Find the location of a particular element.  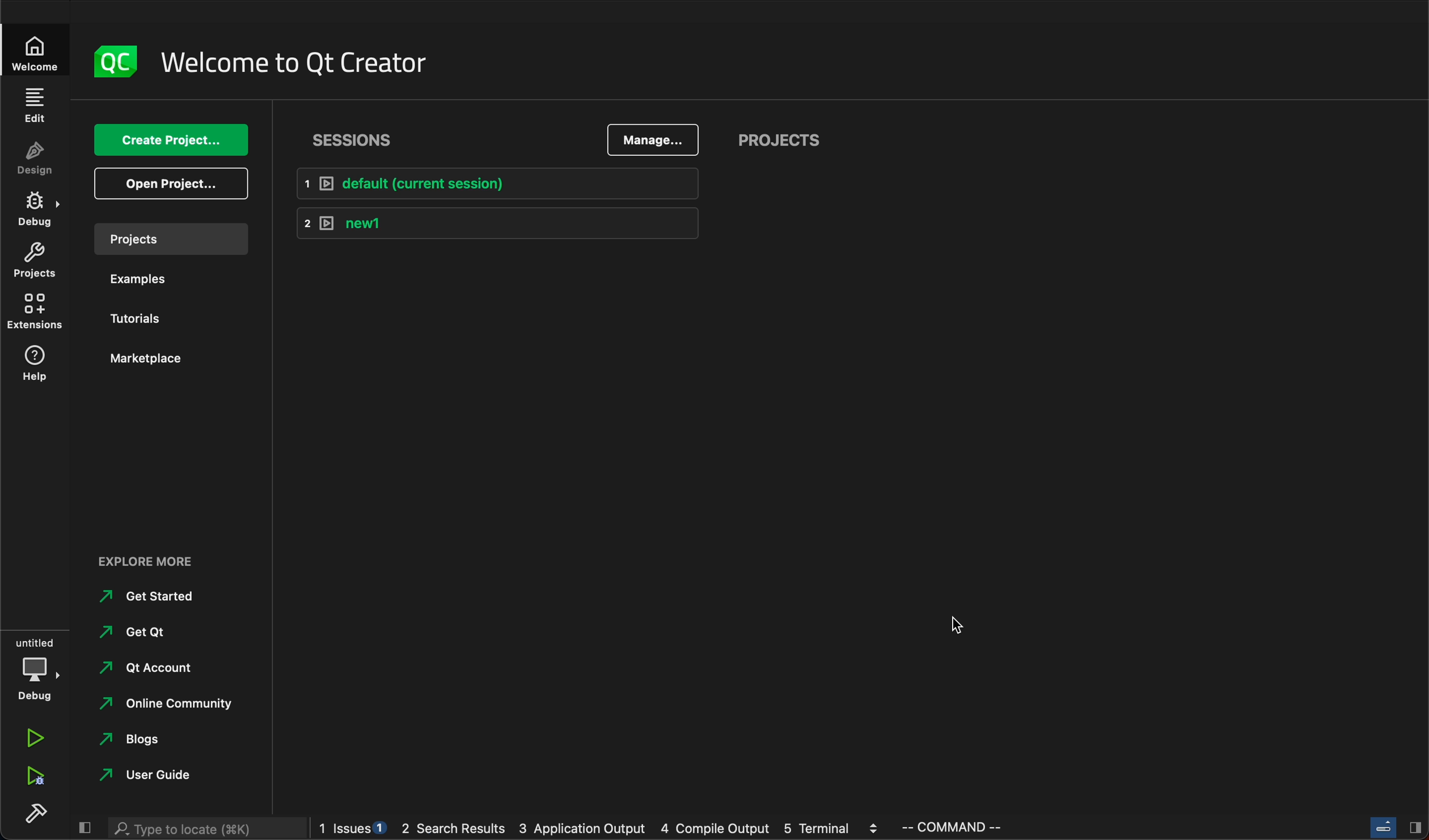

tutorial is located at coordinates (139, 317).